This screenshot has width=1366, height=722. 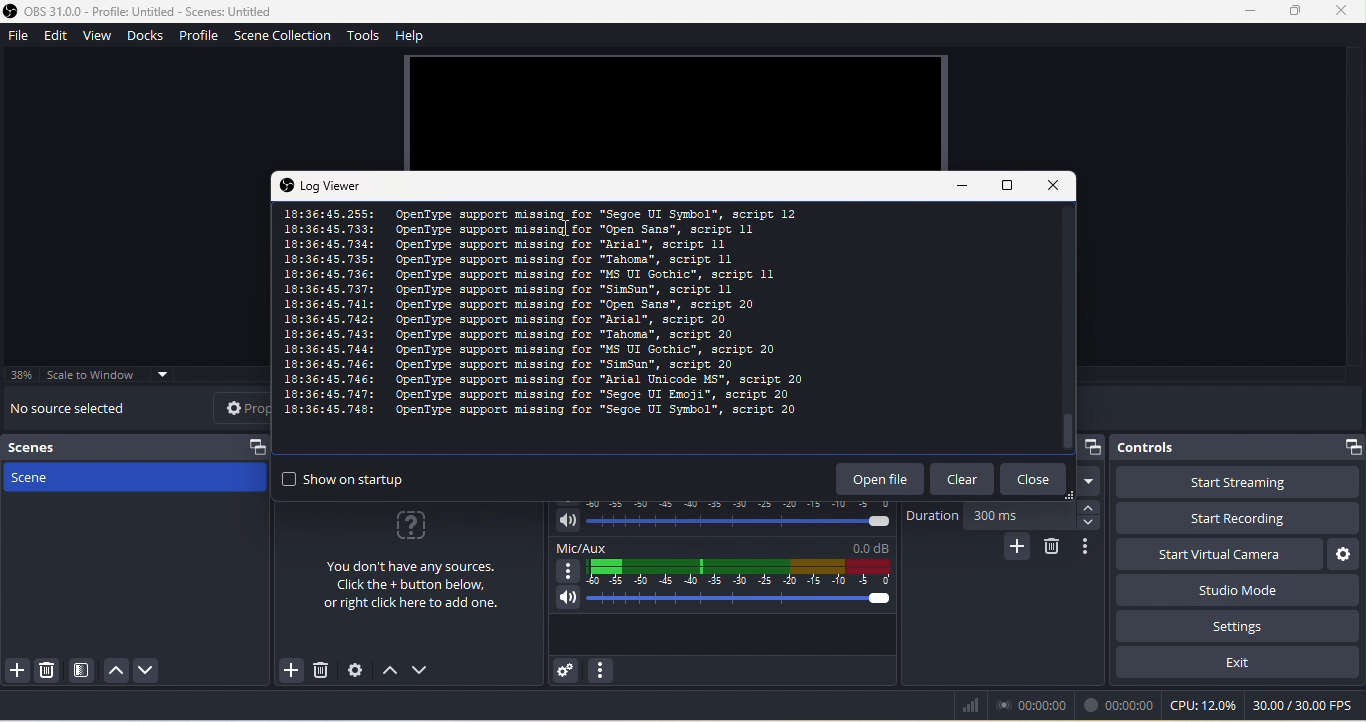 What do you see at coordinates (116, 668) in the screenshot?
I see `up` at bounding box center [116, 668].